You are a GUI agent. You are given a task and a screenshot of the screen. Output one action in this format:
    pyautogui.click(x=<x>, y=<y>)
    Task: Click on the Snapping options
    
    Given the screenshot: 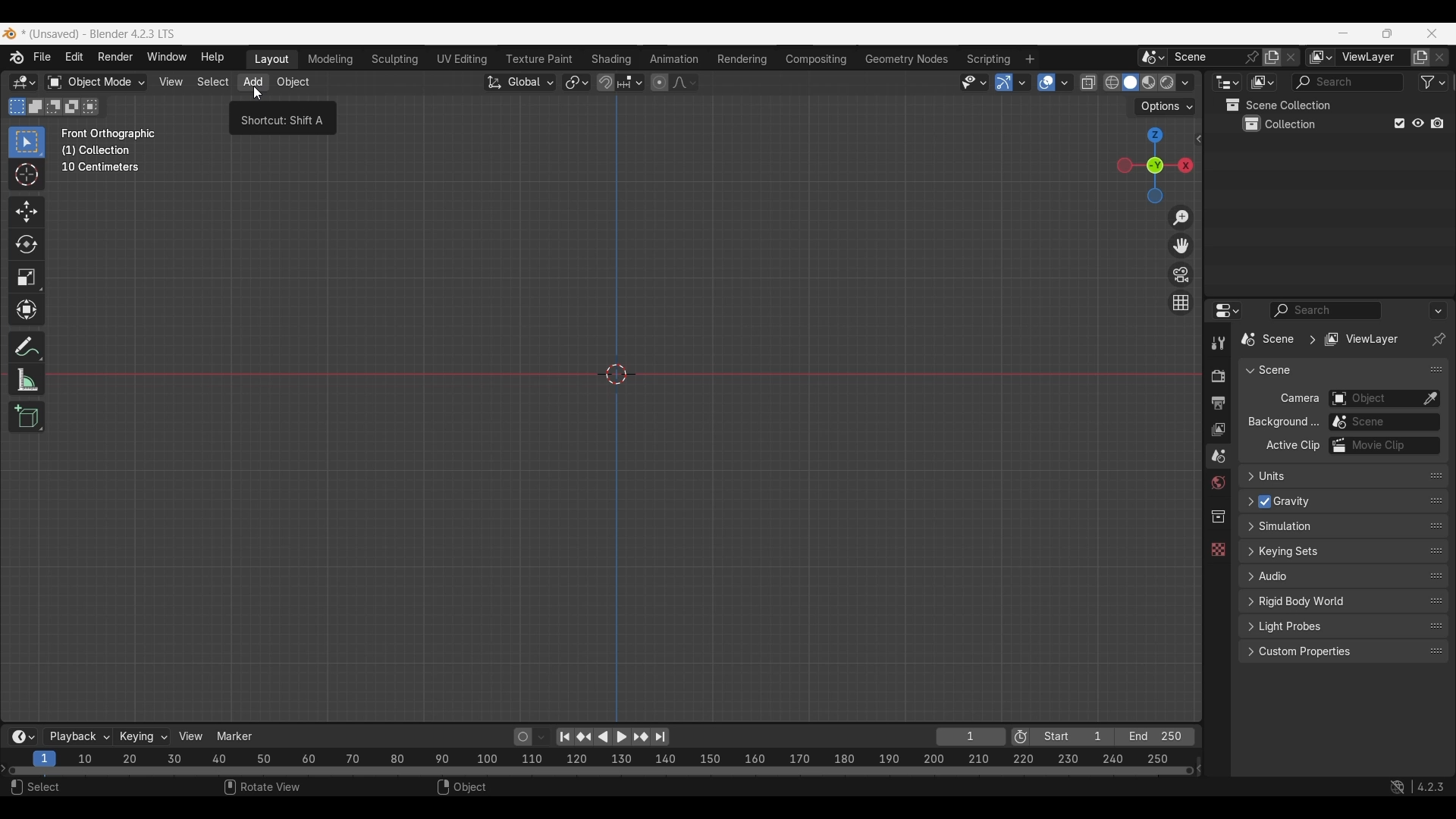 What is the action you would take?
    pyautogui.click(x=632, y=82)
    